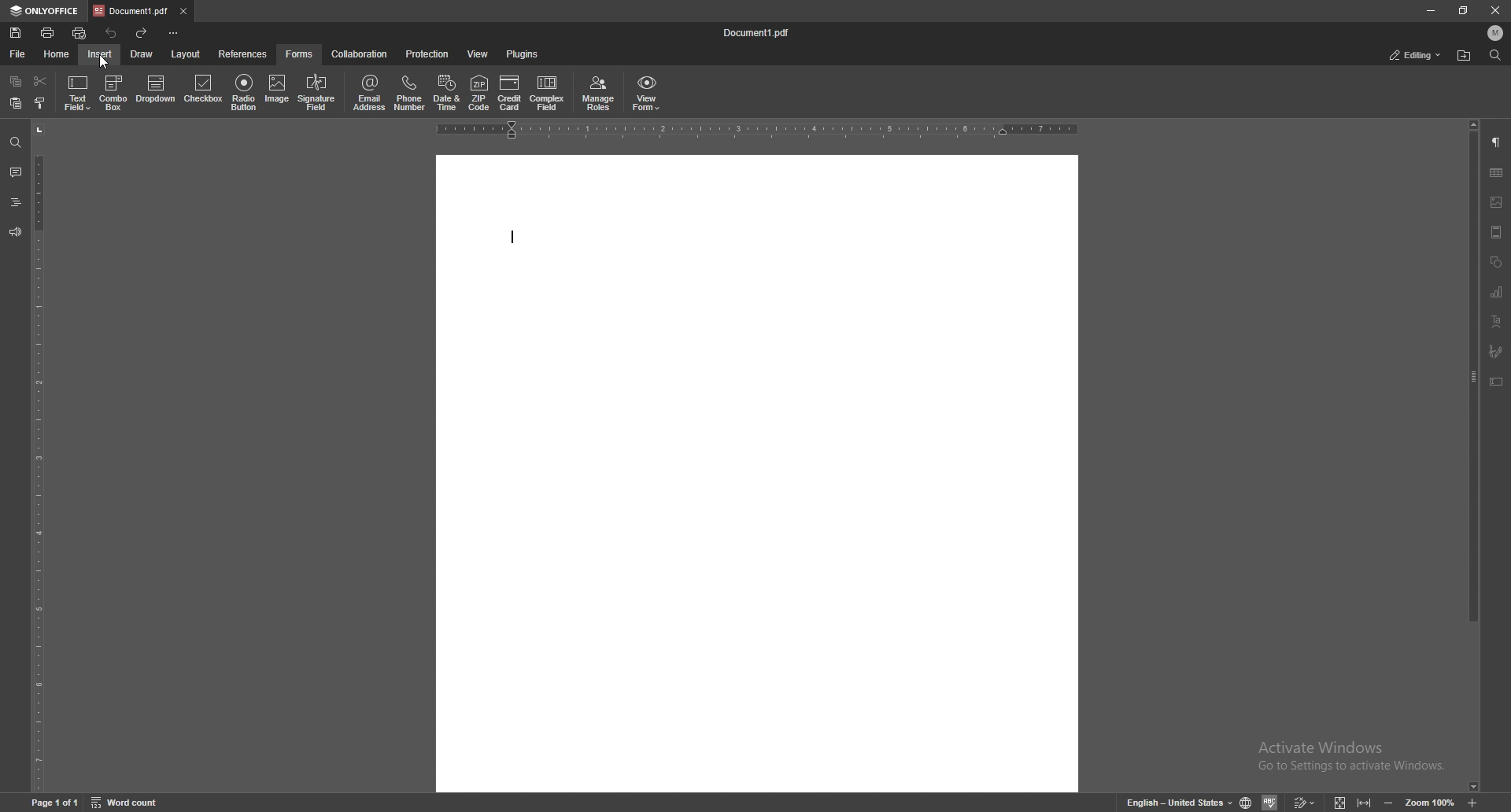 The height and width of the screenshot is (812, 1511). I want to click on word count, so click(127, 803).